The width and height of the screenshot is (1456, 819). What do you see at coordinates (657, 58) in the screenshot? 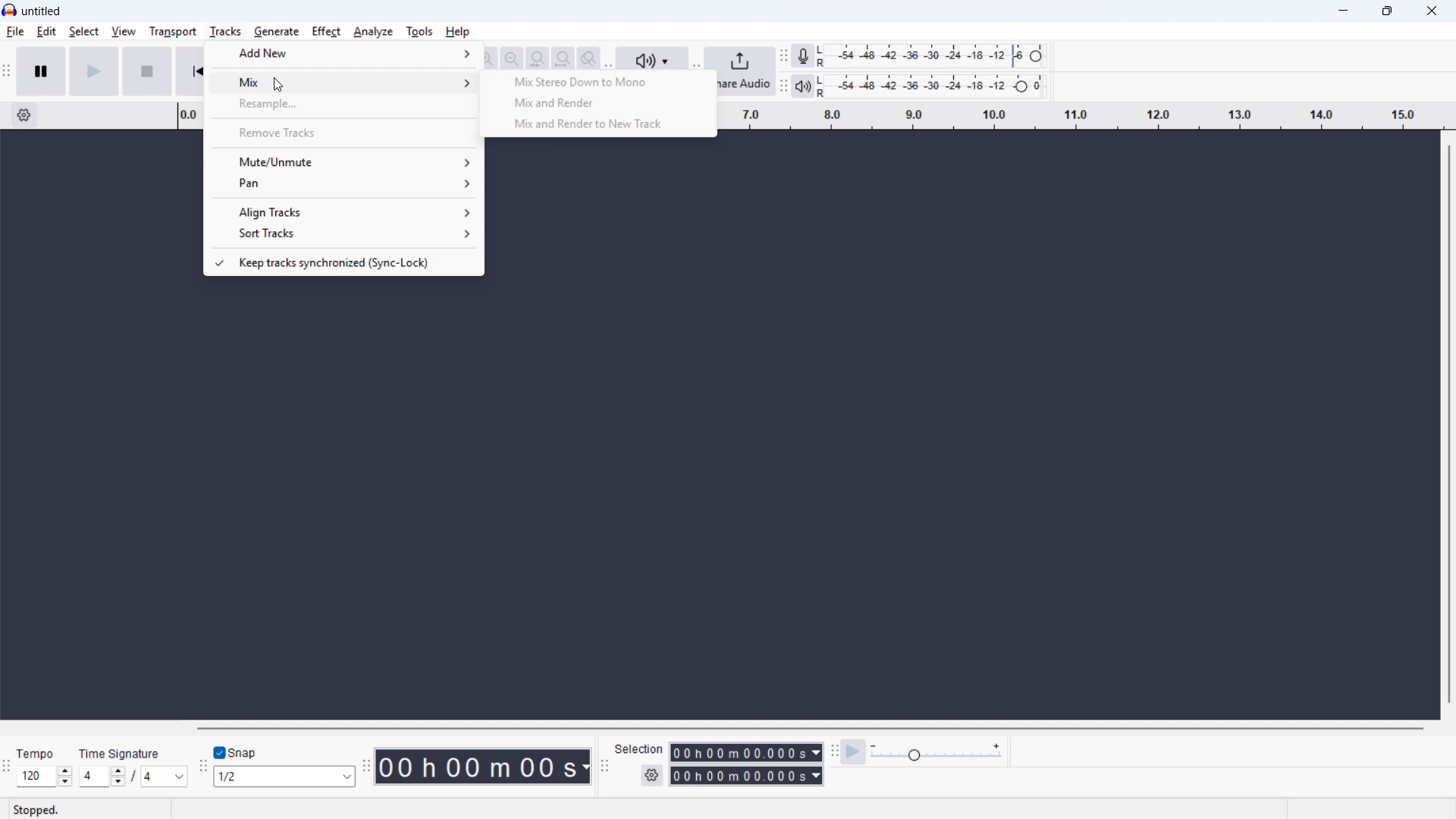
I see `audio setup` at bounding box center [657, 58].